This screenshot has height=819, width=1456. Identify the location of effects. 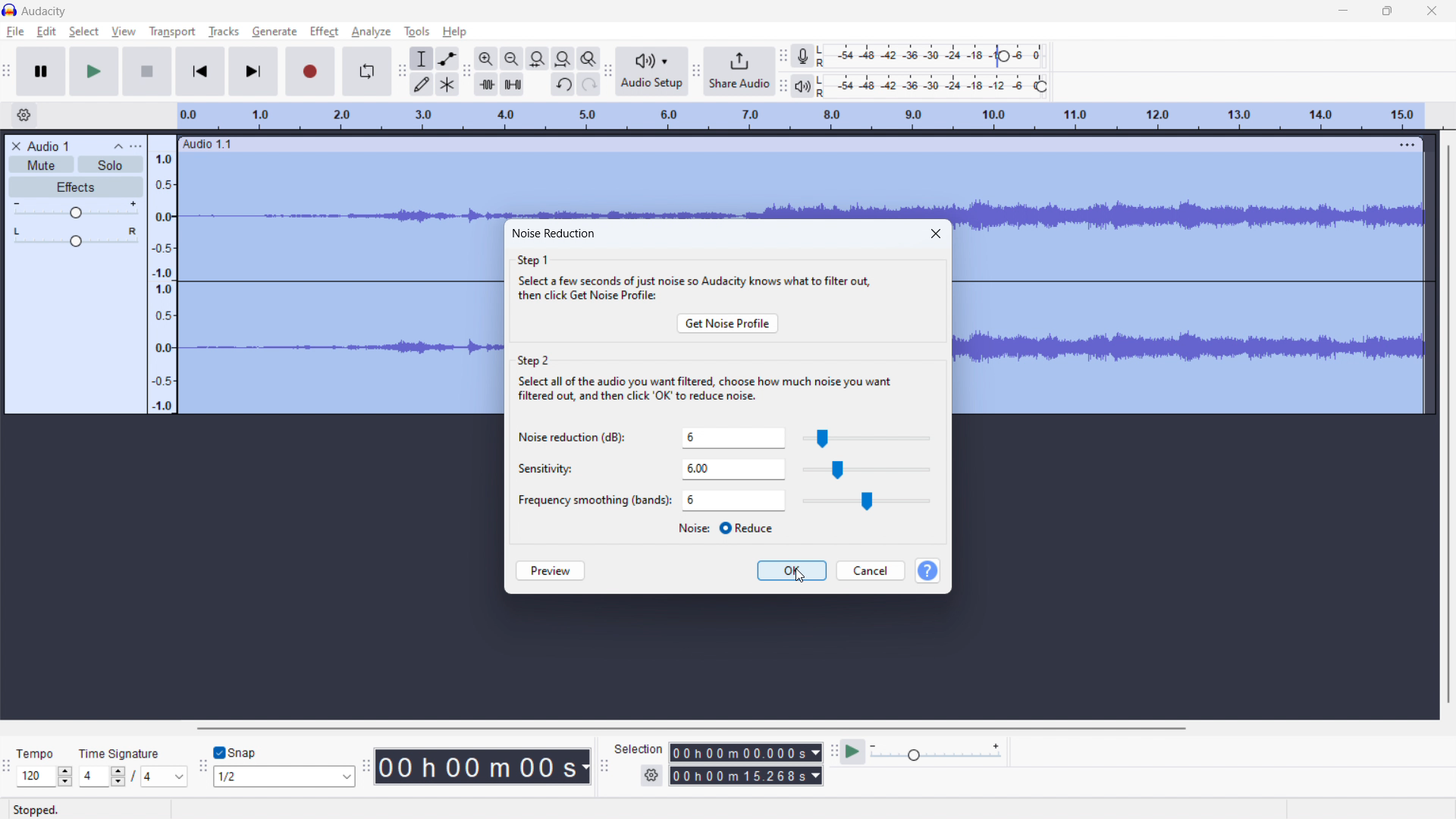
(77, 187).